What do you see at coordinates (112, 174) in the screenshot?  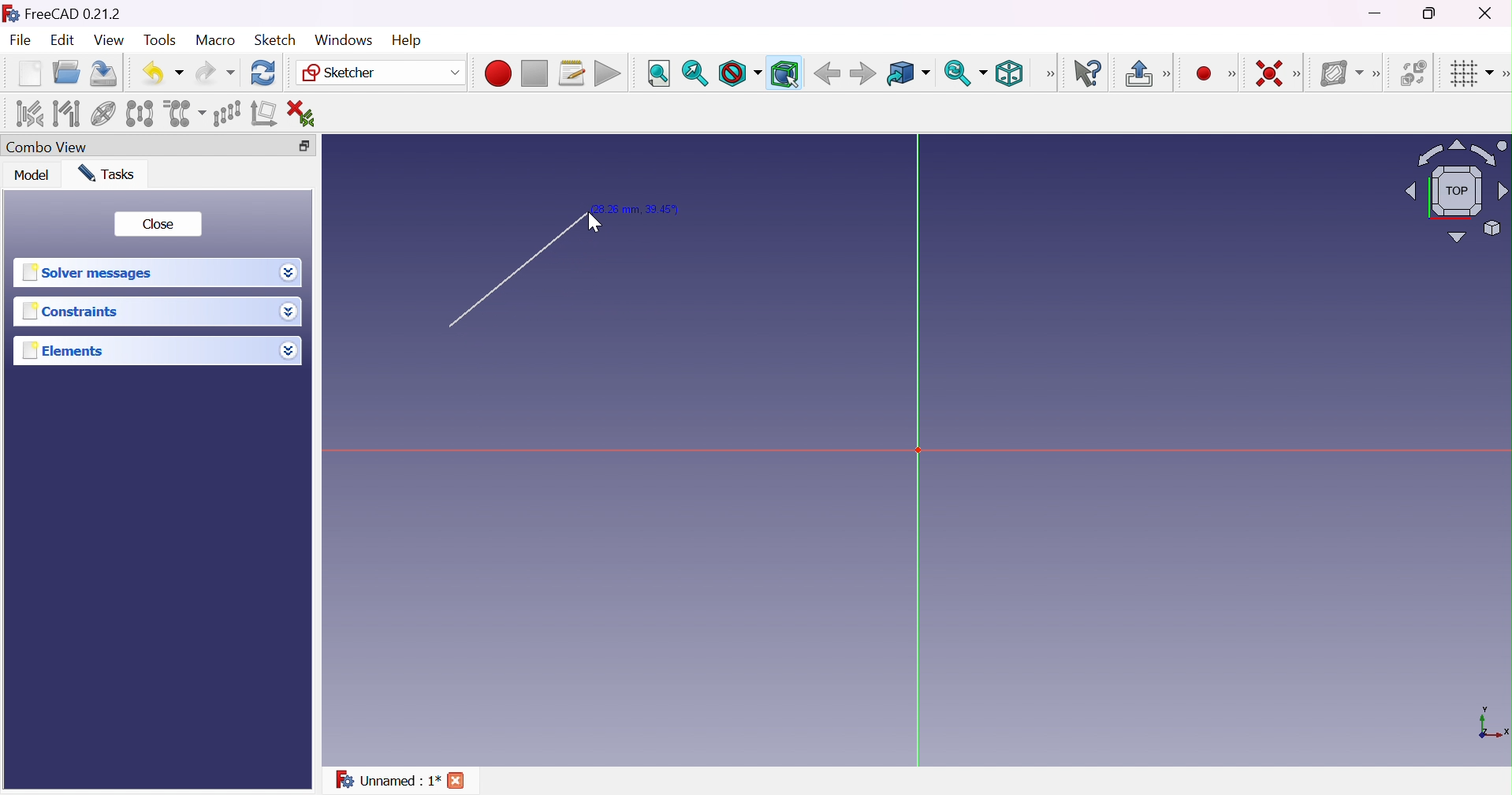 I see `Tasks` at bounding box center [112, 174].